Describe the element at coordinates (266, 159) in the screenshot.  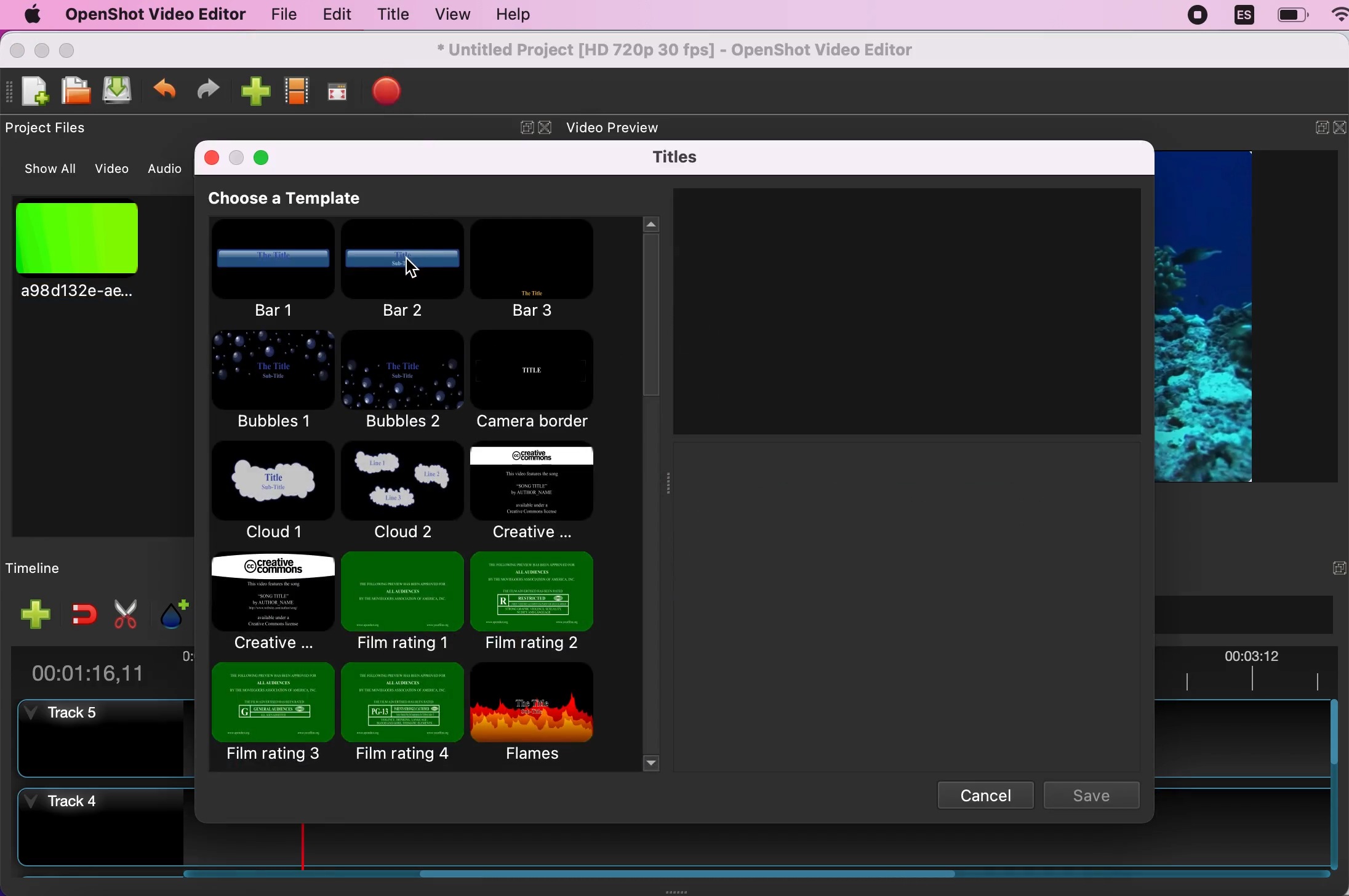
I see `maximize` at that location.